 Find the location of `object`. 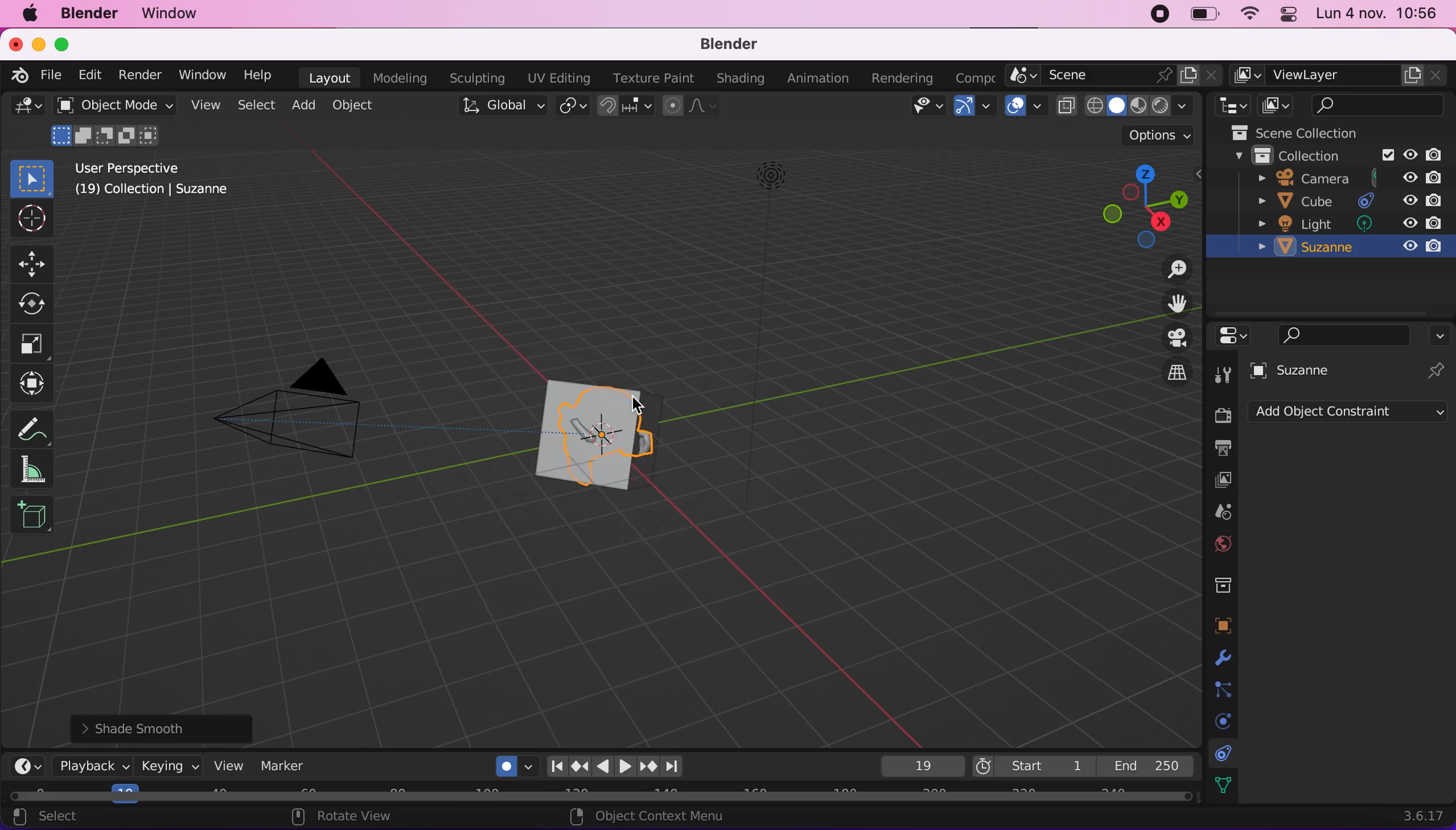

object is located at coordinates (1222, 621).